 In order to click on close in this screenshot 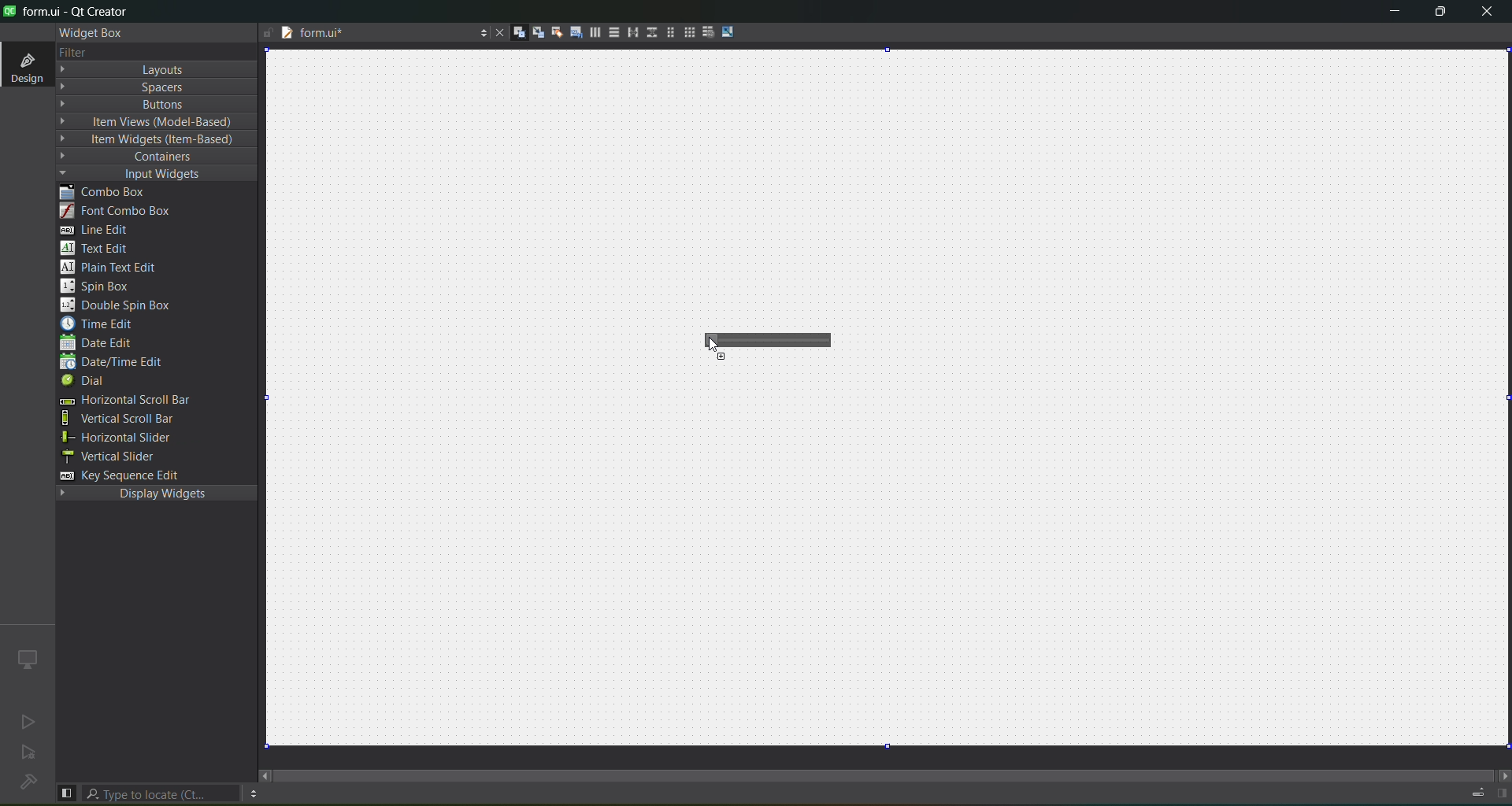, I will do `click(1488, 13)`.